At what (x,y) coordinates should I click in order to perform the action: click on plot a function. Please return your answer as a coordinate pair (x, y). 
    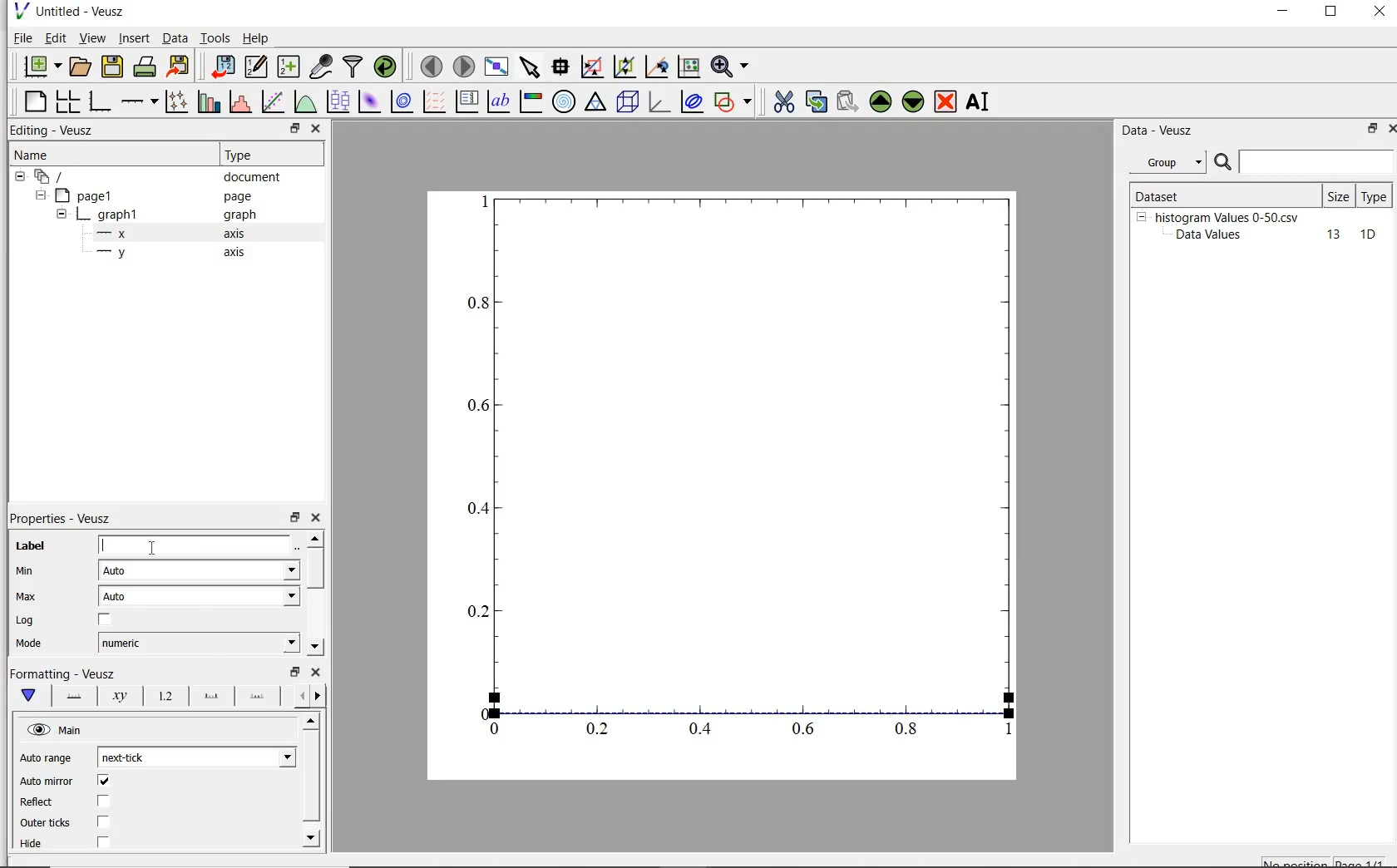
    Looking at the image, I should click on (304, 101).